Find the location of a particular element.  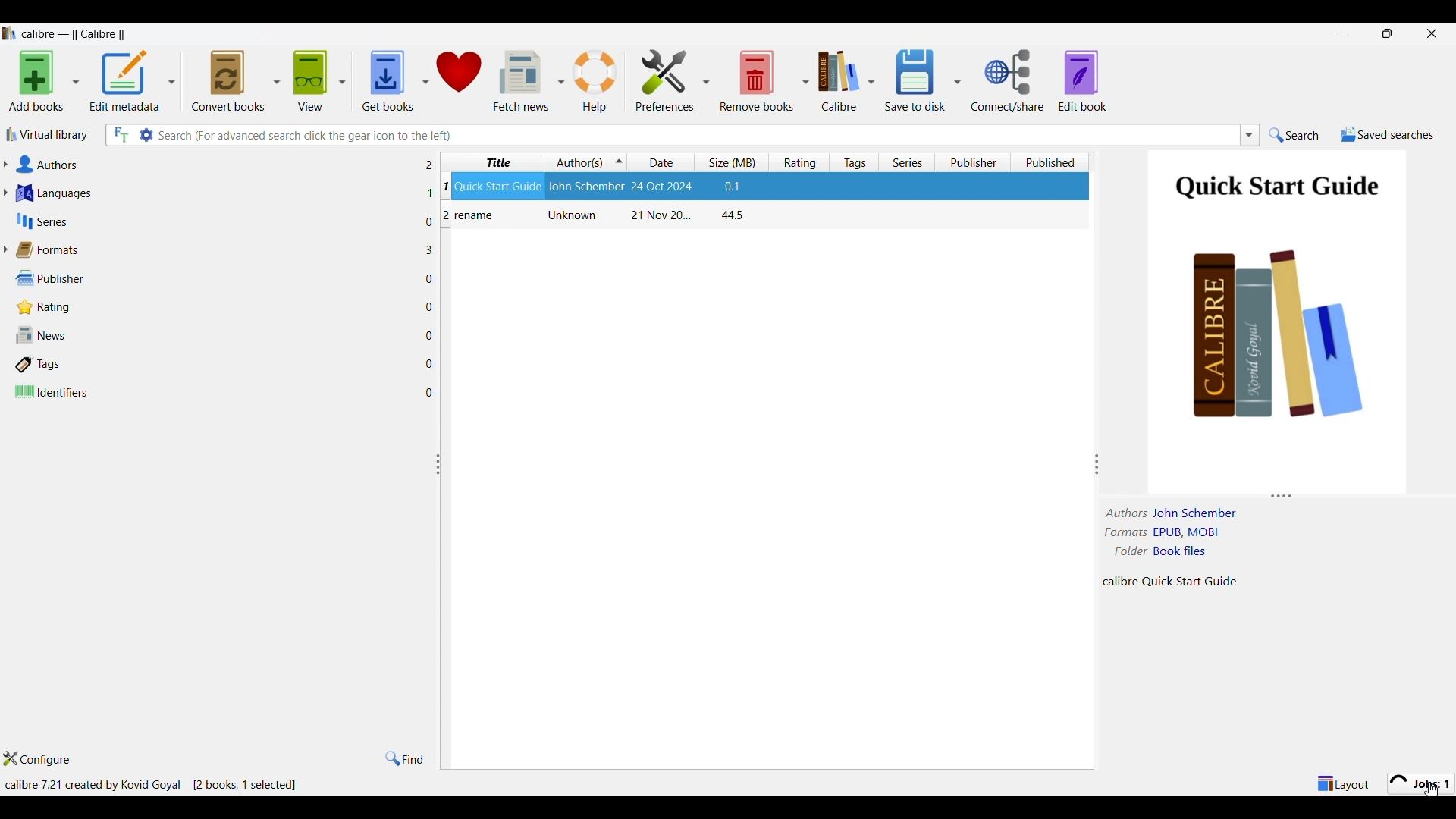

Type in searches is located at coordinates (696, 136).